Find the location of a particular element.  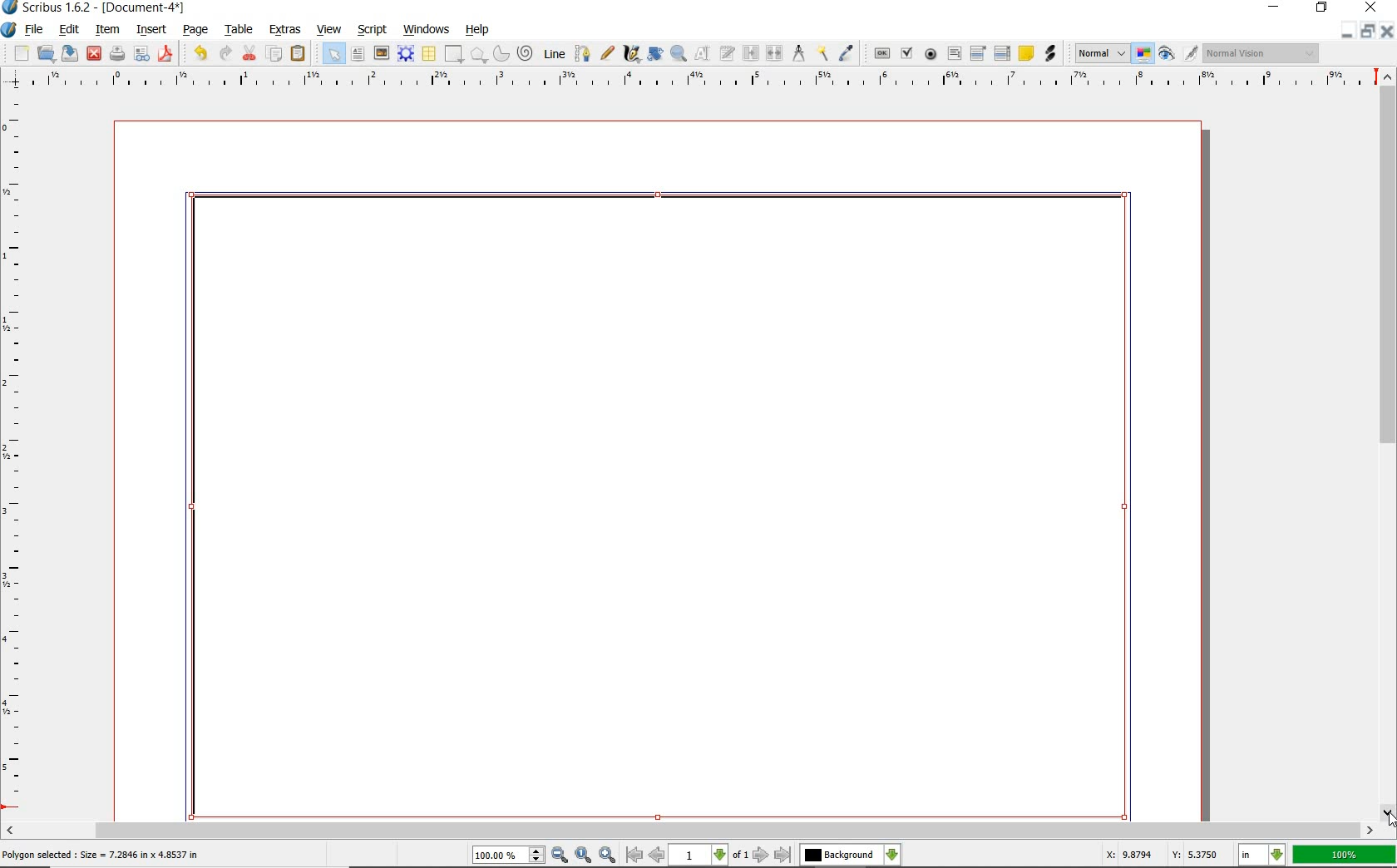

link text frames is located at coordinates (748, 52).